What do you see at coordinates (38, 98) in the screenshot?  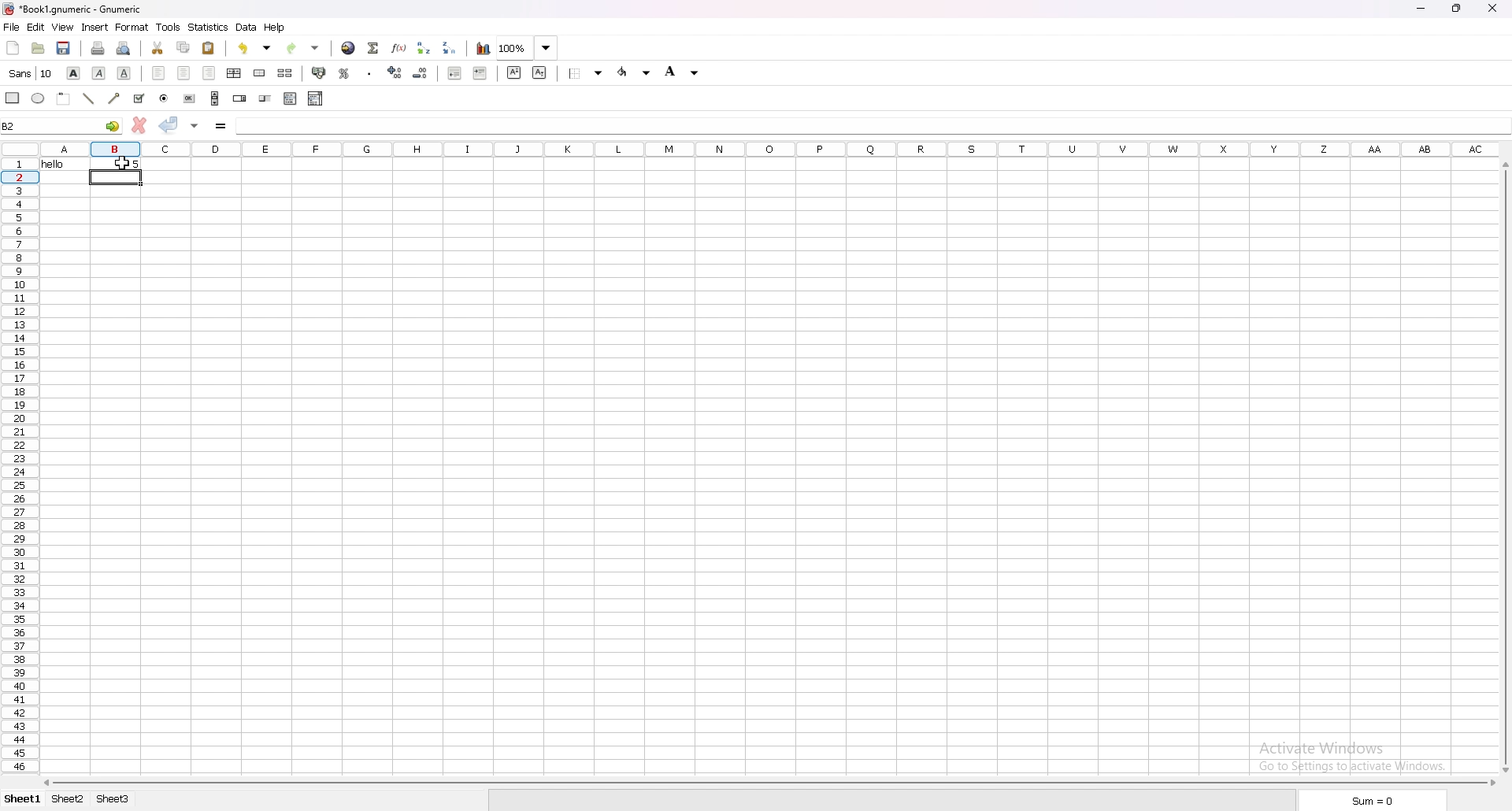 I see `ellipse object` at bounding box center [38, 98].